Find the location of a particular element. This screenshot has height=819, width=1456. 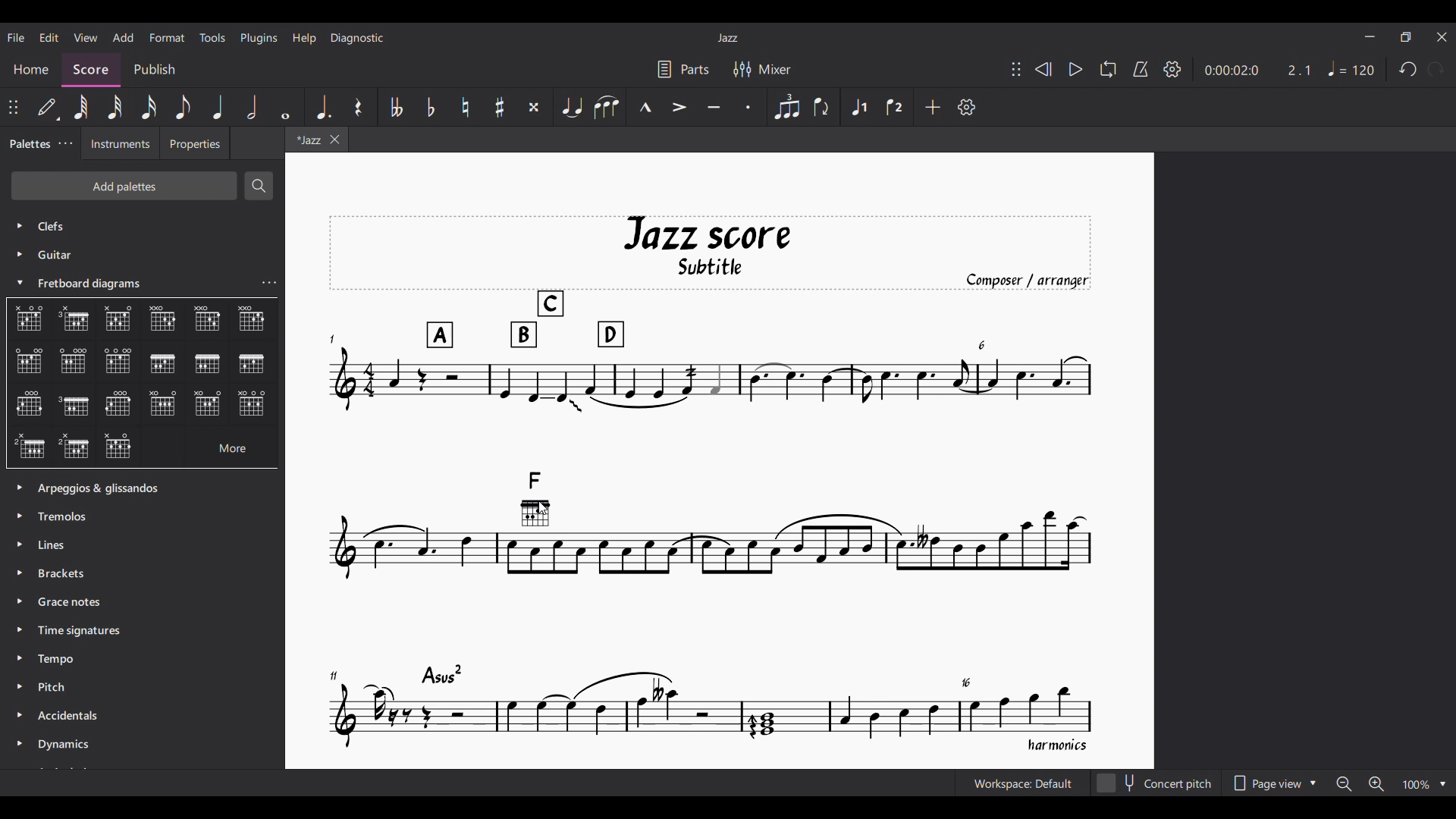

Toggle natural is located at coordinates (466, 107).